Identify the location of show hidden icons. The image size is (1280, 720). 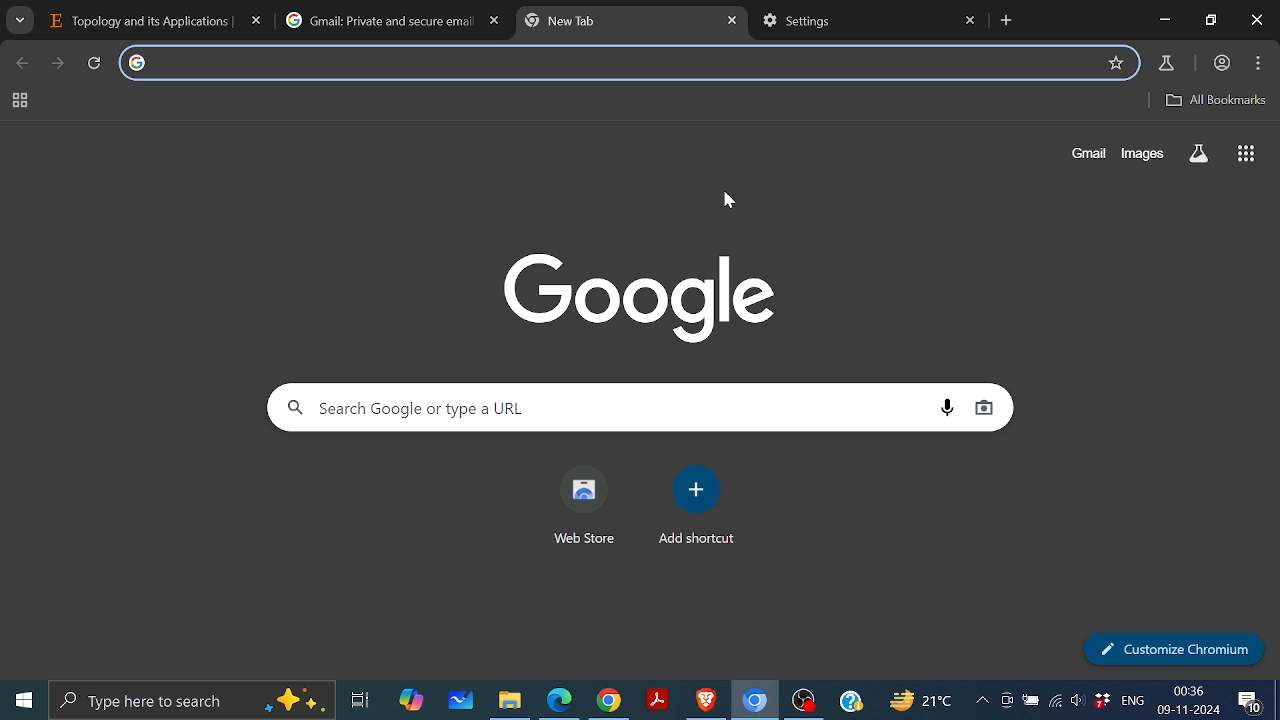
(982, 701).